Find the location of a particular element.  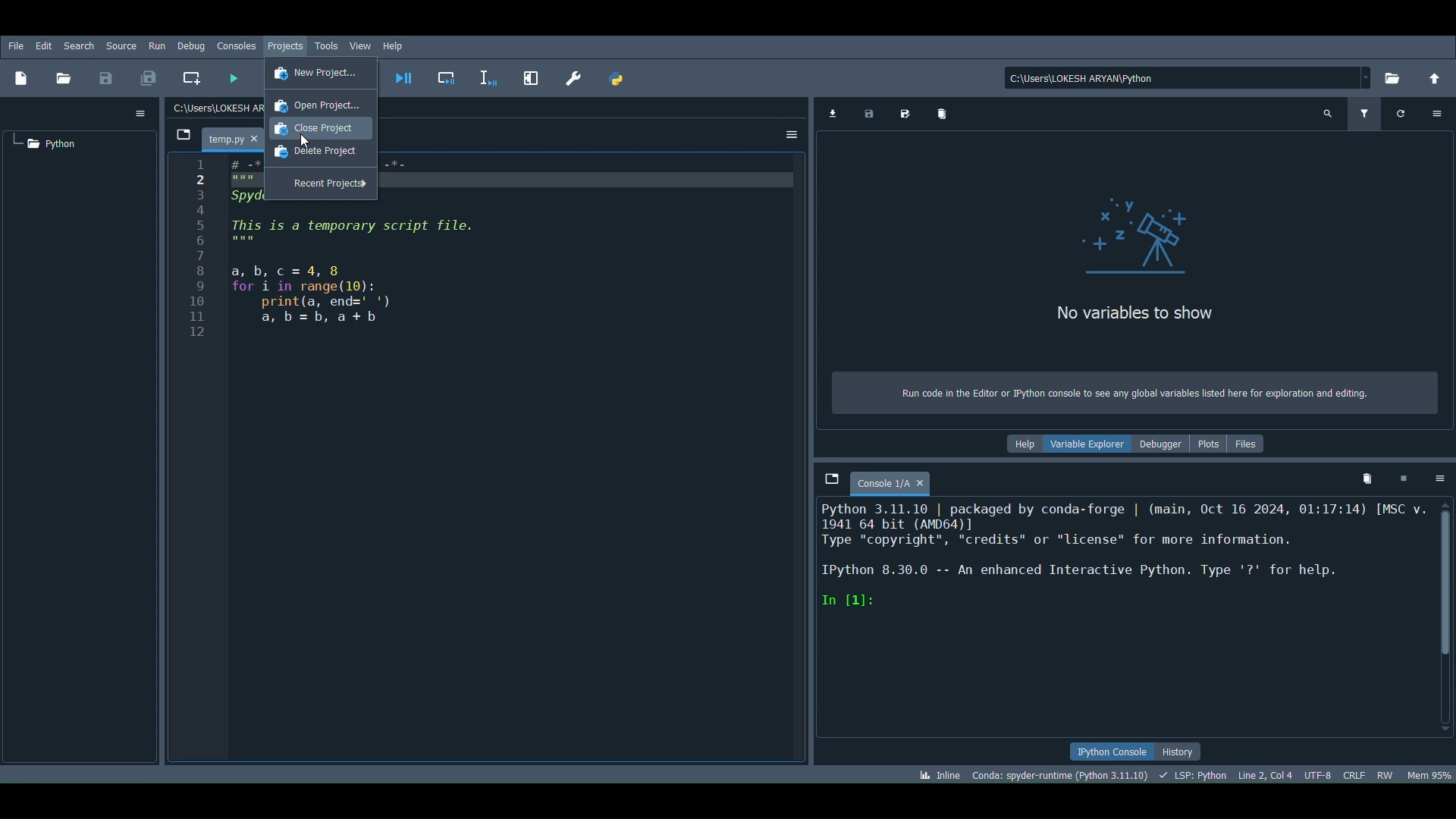

Options is located at coordinates (1437, 111).